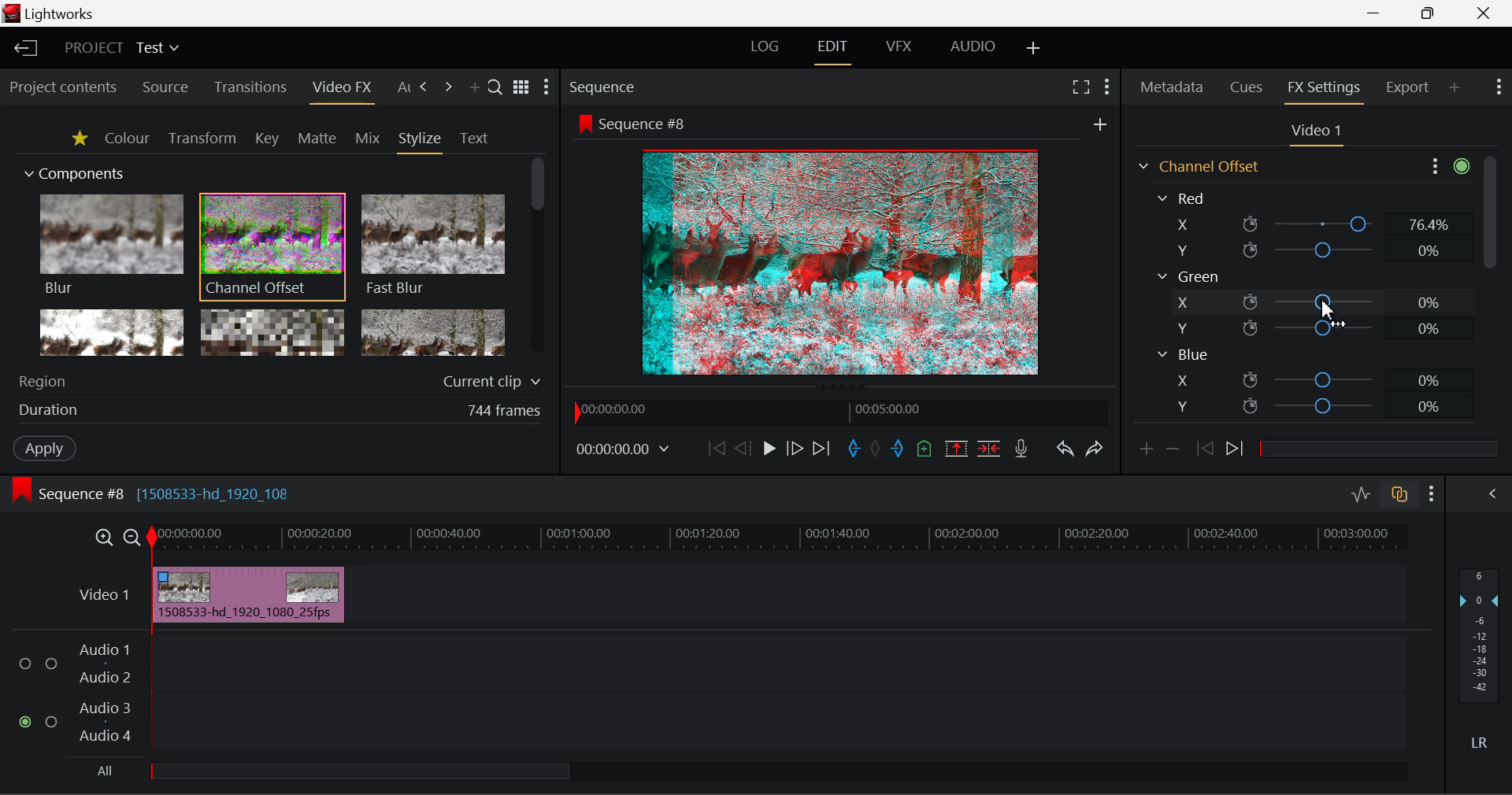 This screenshot has height=795, width=1512. I want to click on Delete/Cut, so click(991, 449).